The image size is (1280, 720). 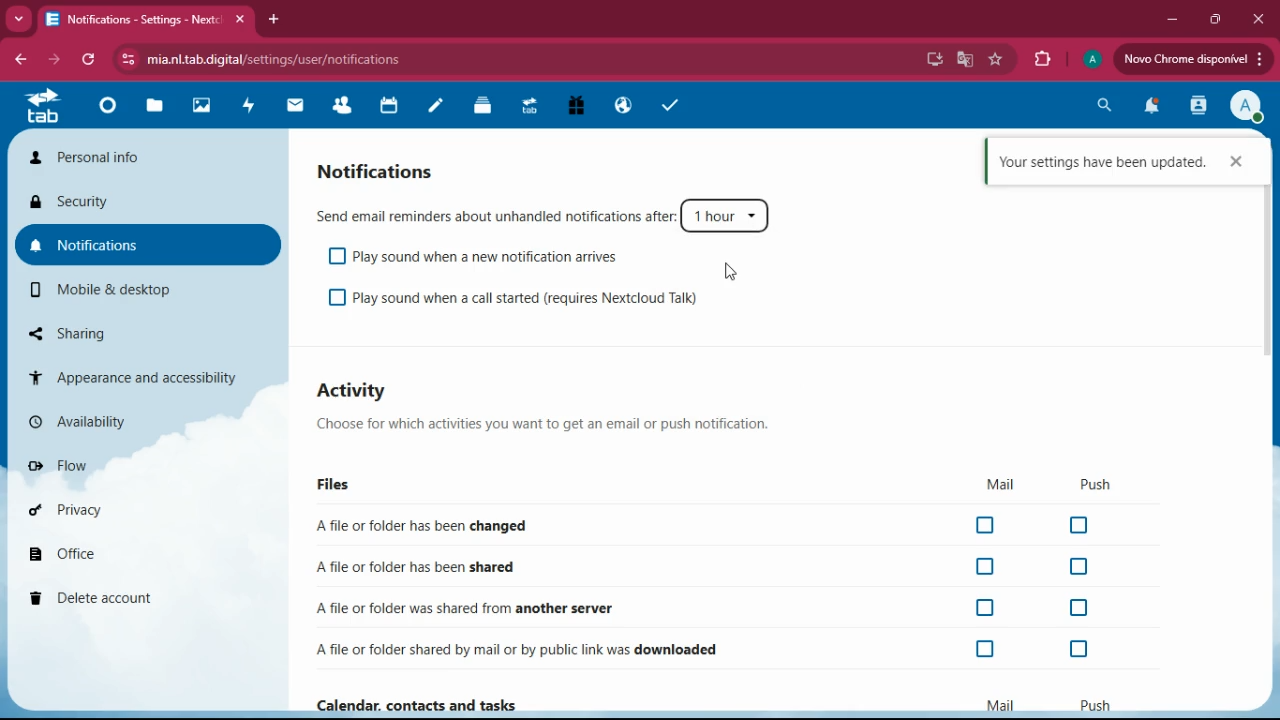 I want to click on tab, so click(x=530, y=109).